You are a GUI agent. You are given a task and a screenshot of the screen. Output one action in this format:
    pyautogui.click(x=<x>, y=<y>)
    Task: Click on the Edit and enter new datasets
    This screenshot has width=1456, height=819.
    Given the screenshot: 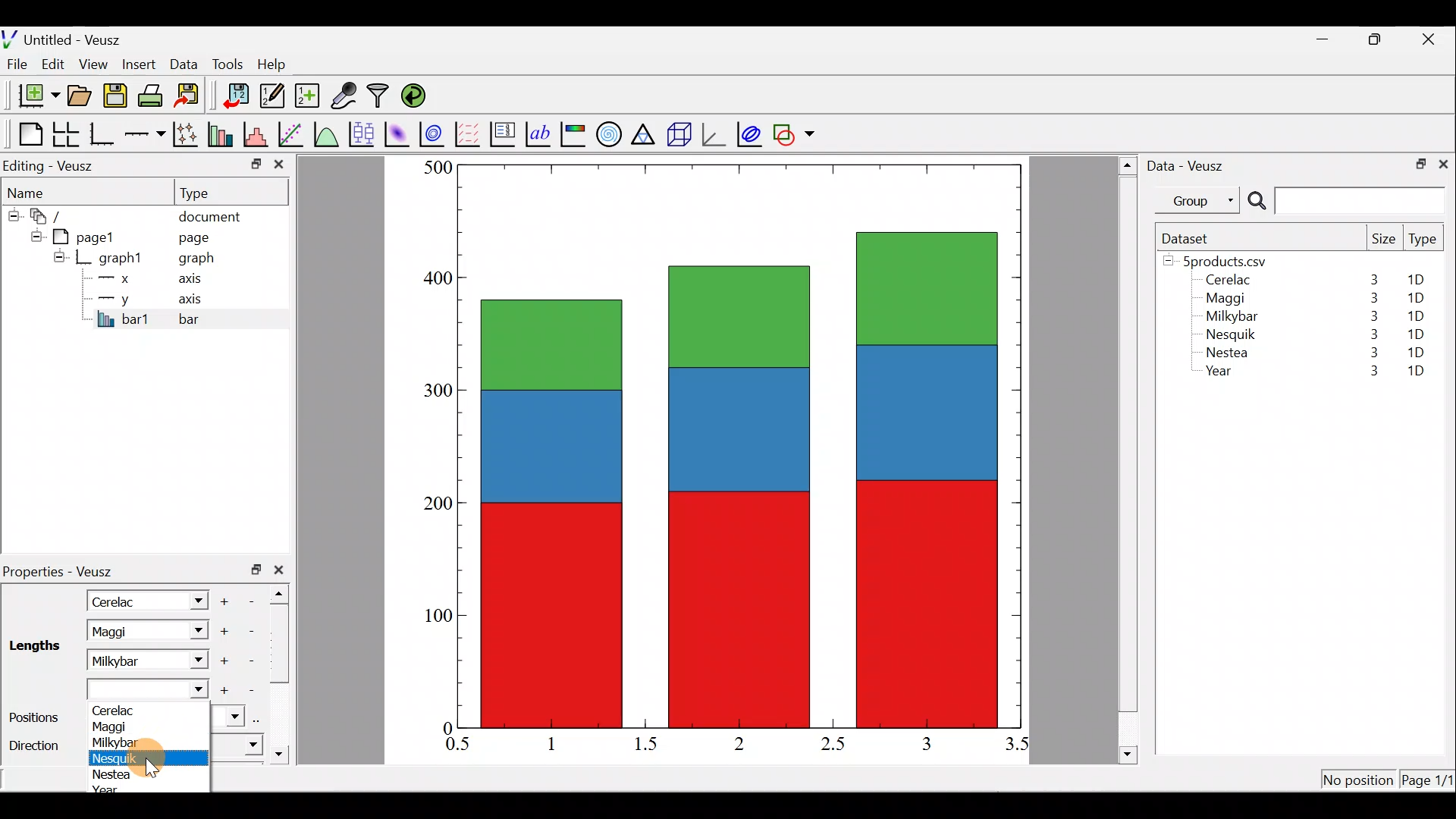 What is the action you would take?
    pyautogui.click(x=272, y=96)
    